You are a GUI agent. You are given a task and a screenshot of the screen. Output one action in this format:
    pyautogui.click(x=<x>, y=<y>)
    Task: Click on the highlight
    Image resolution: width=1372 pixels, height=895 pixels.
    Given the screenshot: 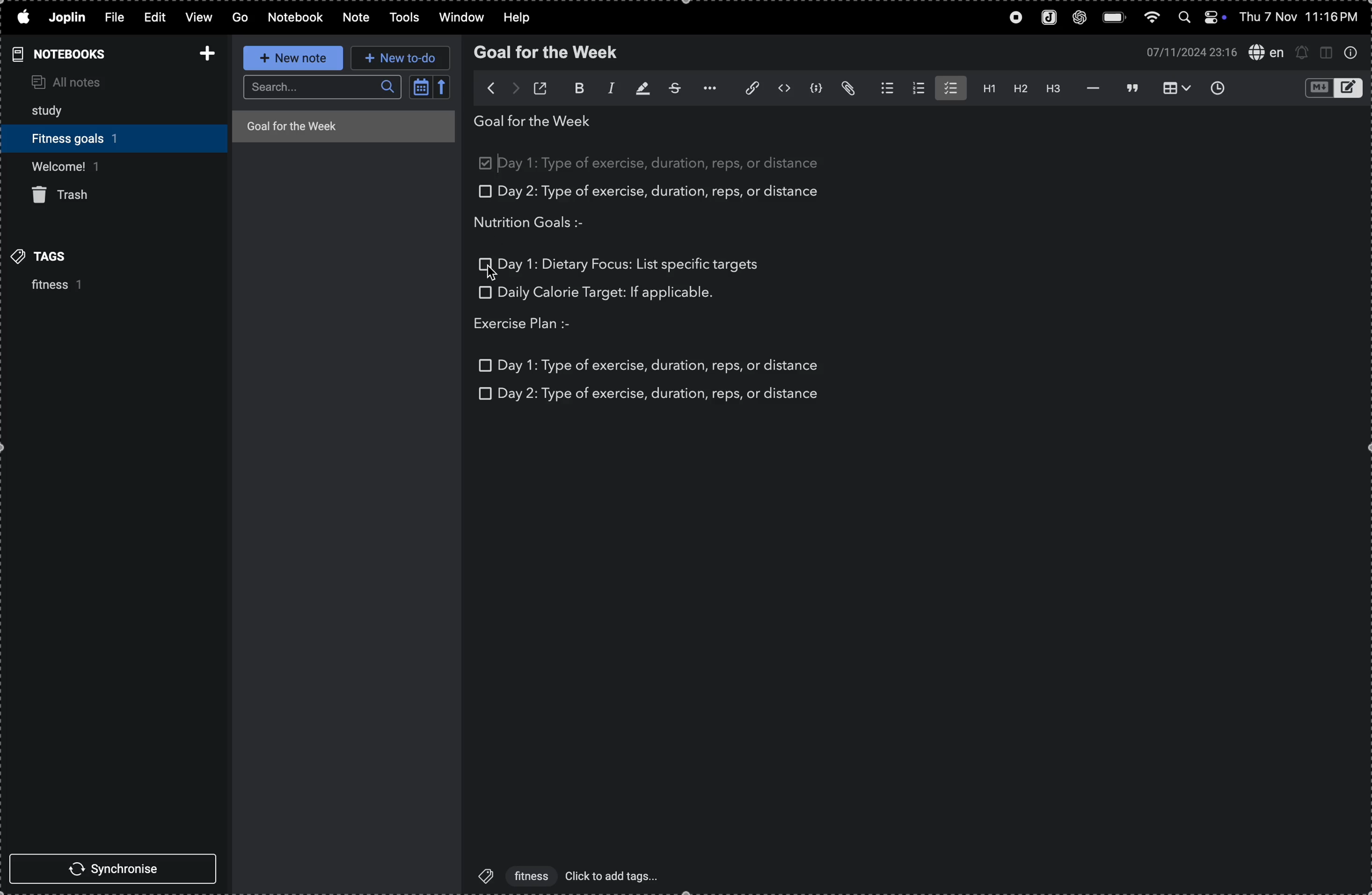 What is the action you would take?
    pyautogui.click(x=638, y=89)
    